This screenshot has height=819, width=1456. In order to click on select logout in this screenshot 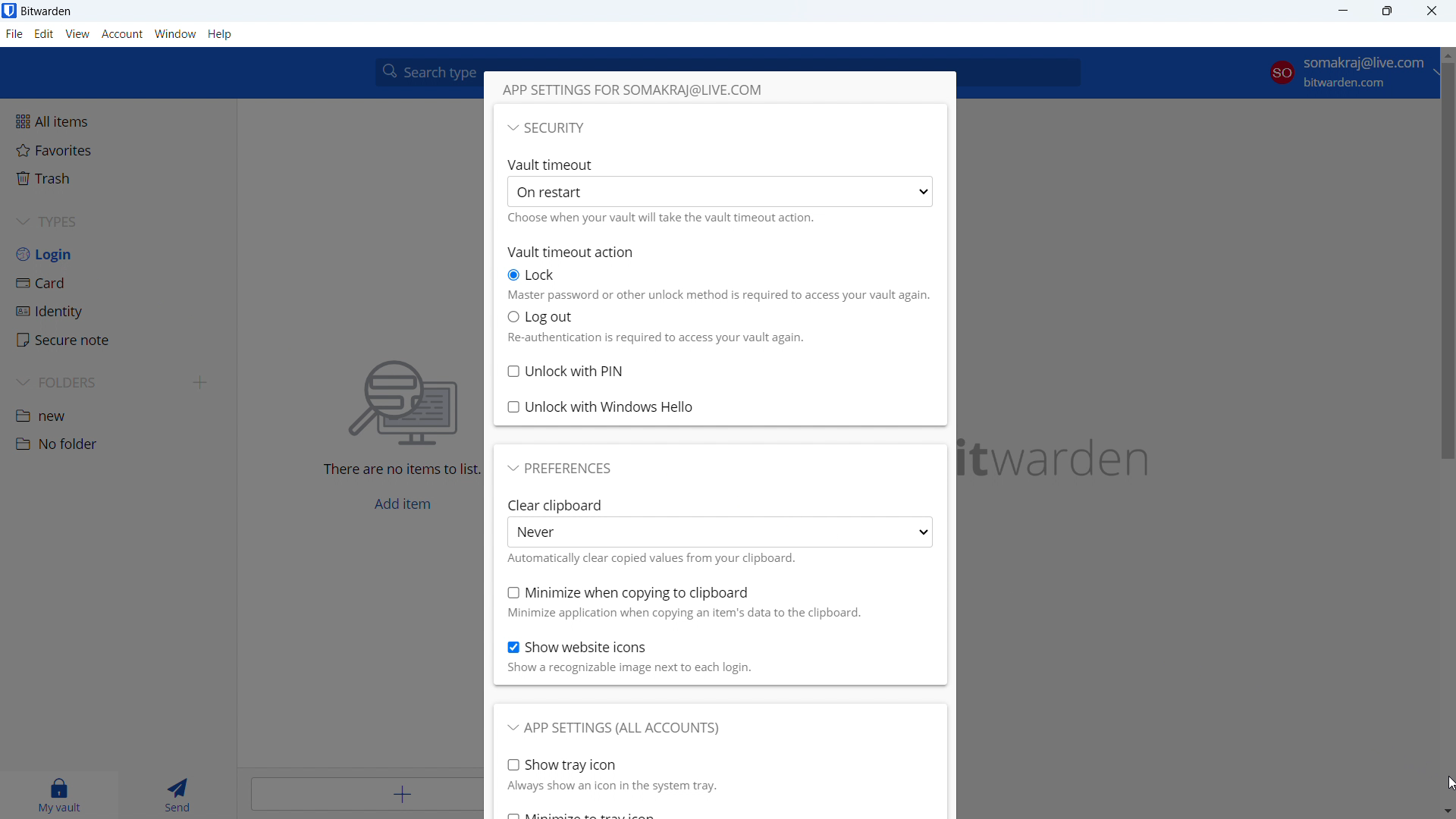, I will do `click(717, 326)`.